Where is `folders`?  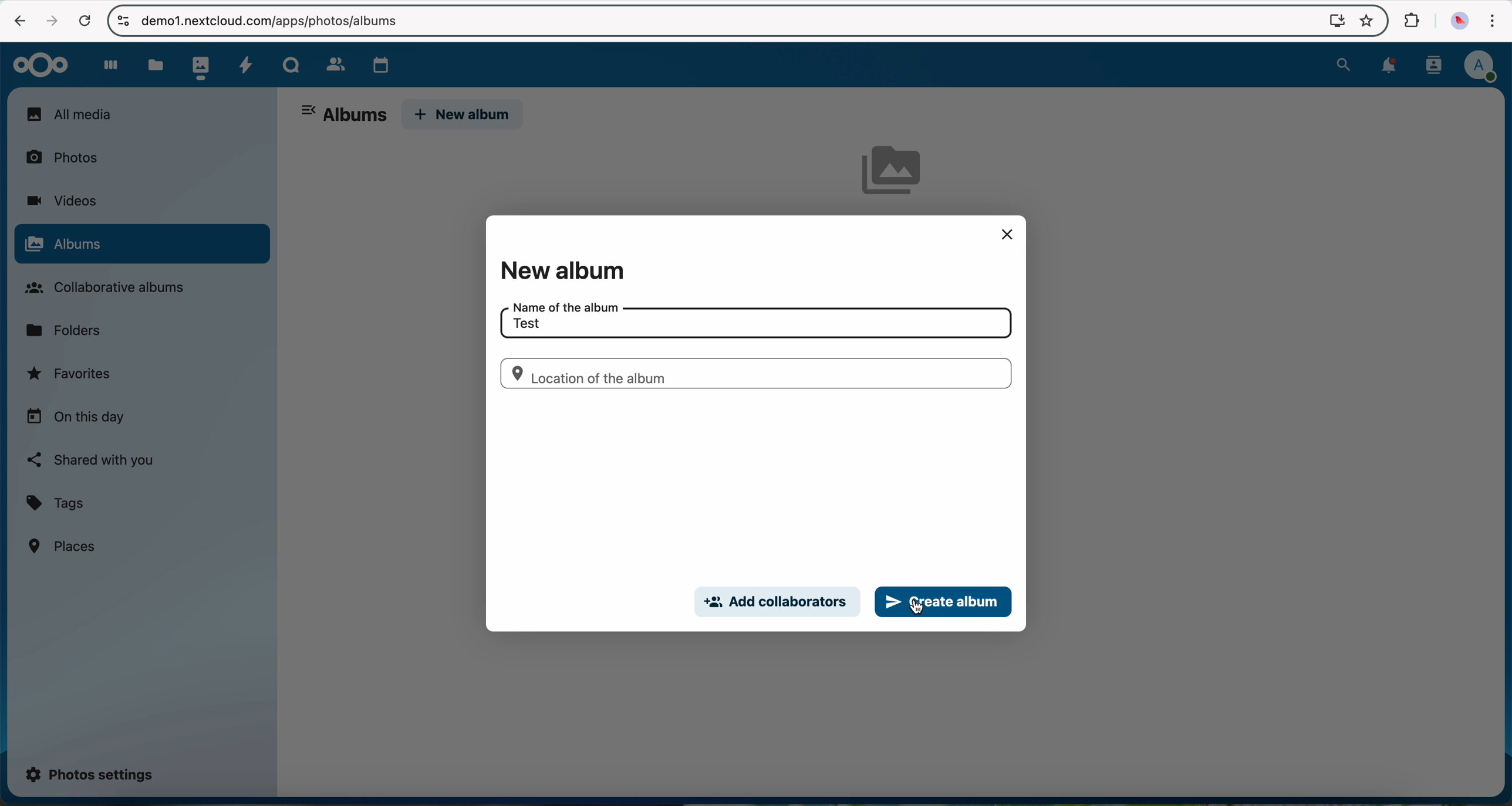
folders is located at coordinates (68, 329).